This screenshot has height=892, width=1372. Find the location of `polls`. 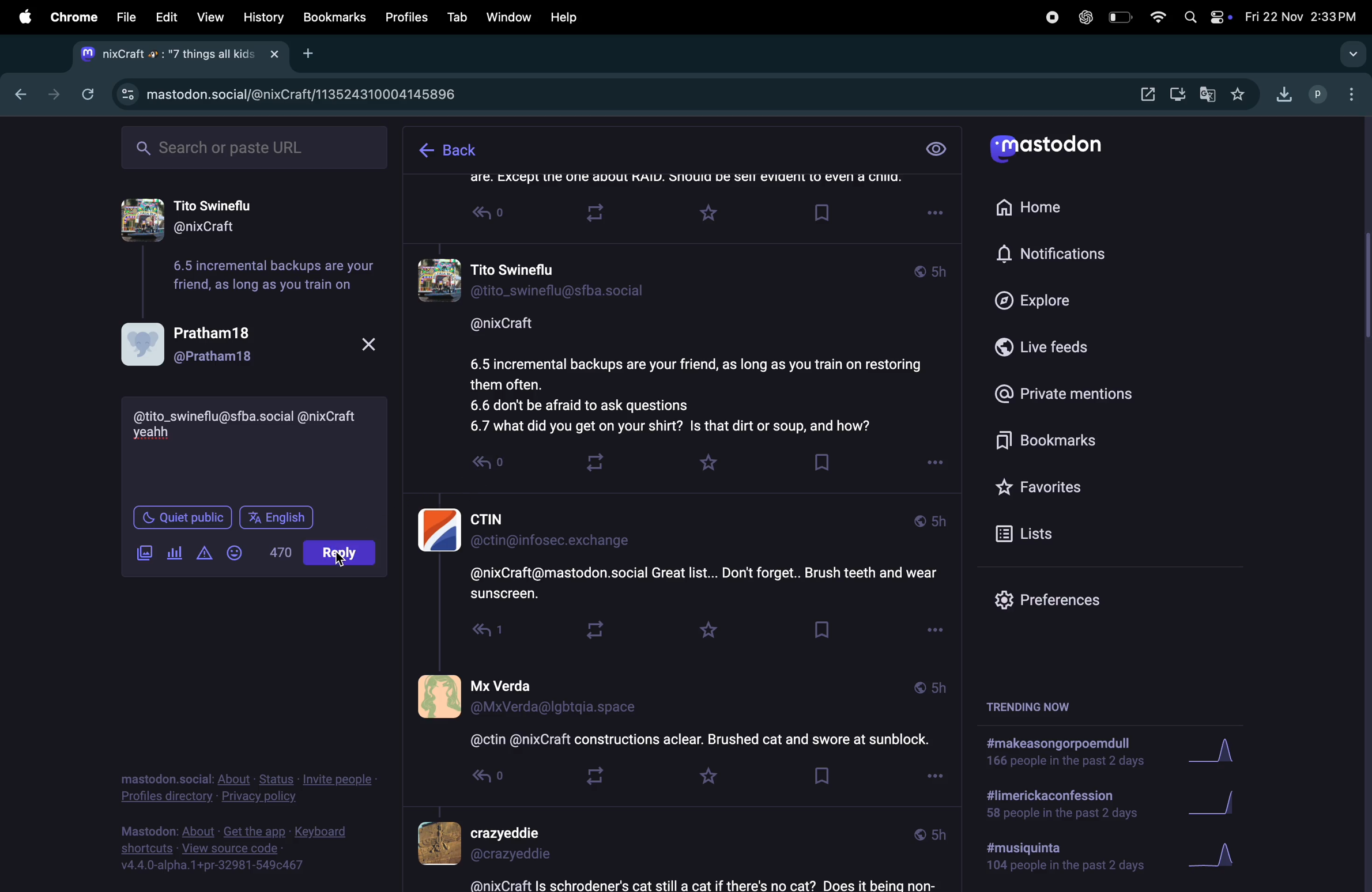

polls is located at coordinates (179, 555).